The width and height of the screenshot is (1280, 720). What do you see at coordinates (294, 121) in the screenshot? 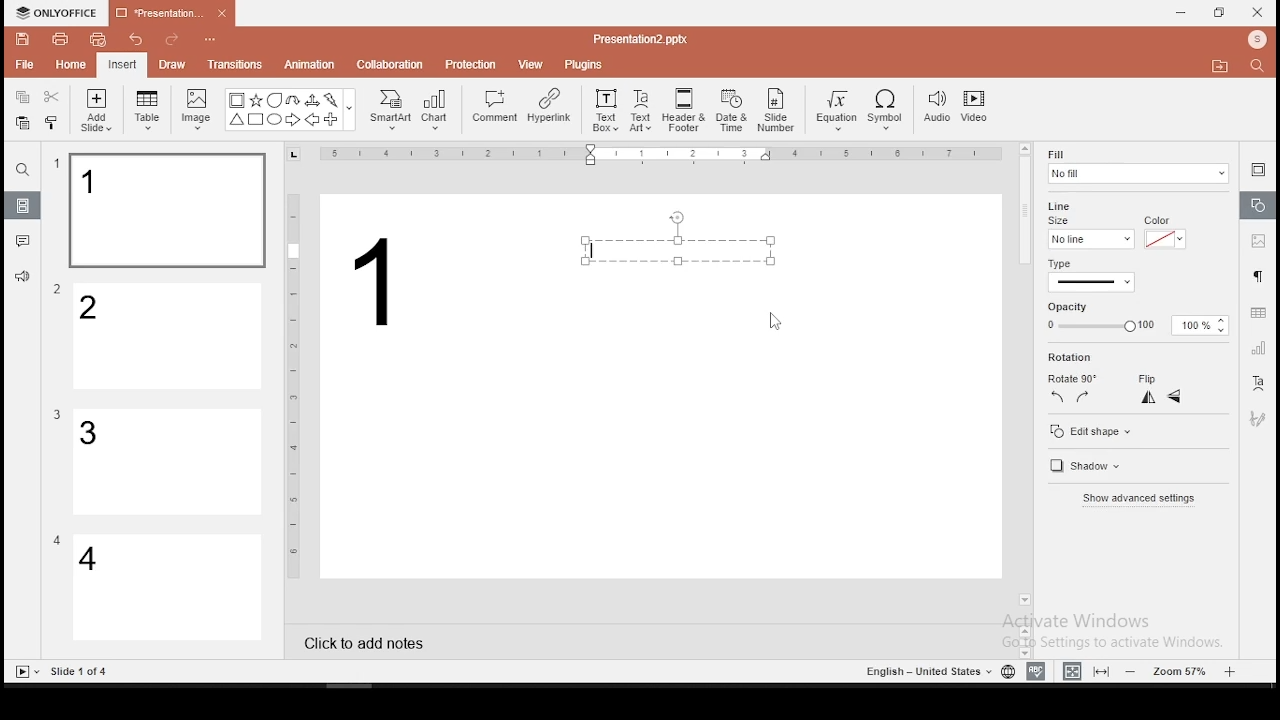
I see `Arrow Right` at bounding box center [294, 121].